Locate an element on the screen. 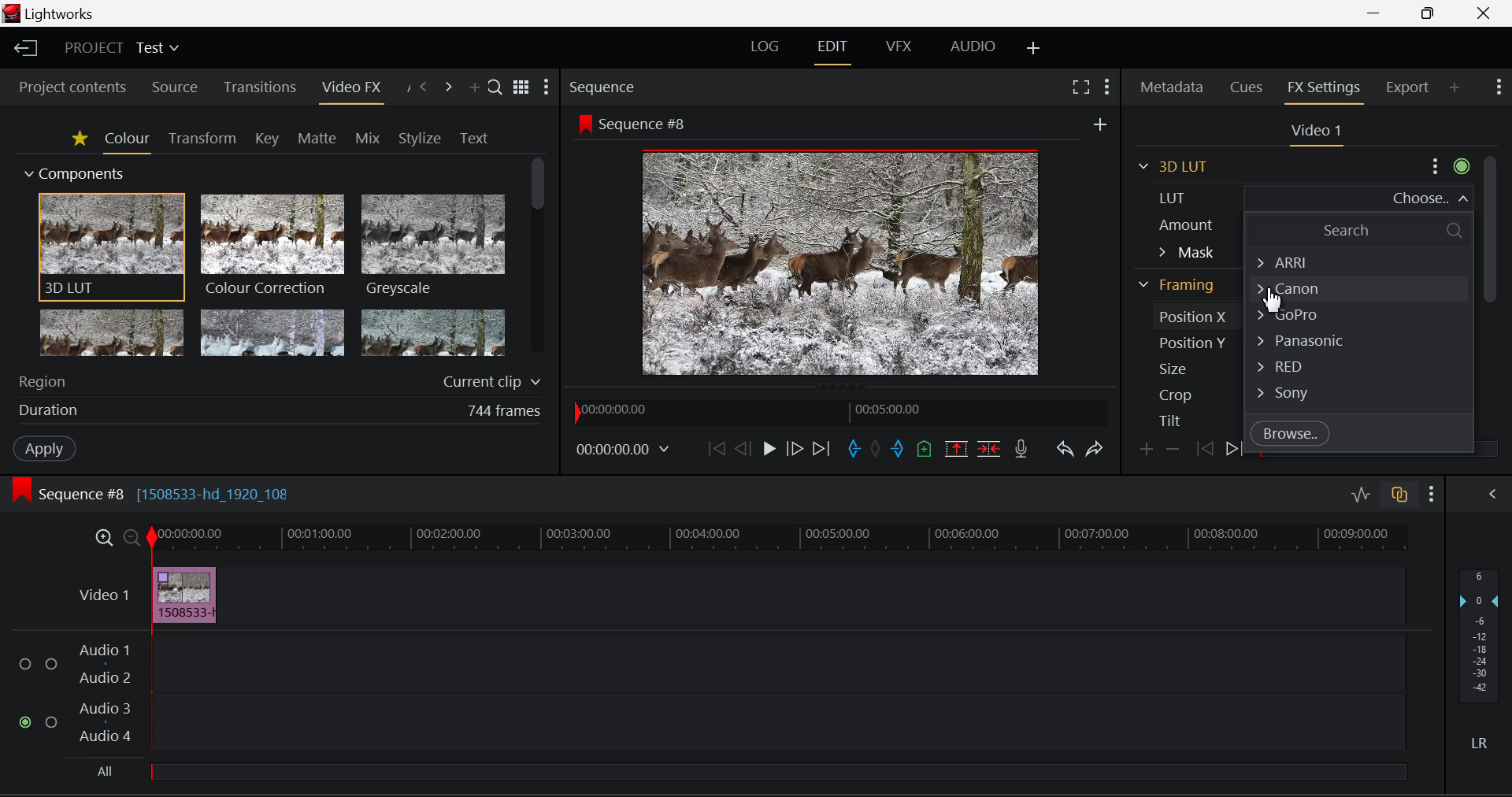 The height and width of the screenshot is (797, 1512). Effect Applied is located at coordinates (188, 594).